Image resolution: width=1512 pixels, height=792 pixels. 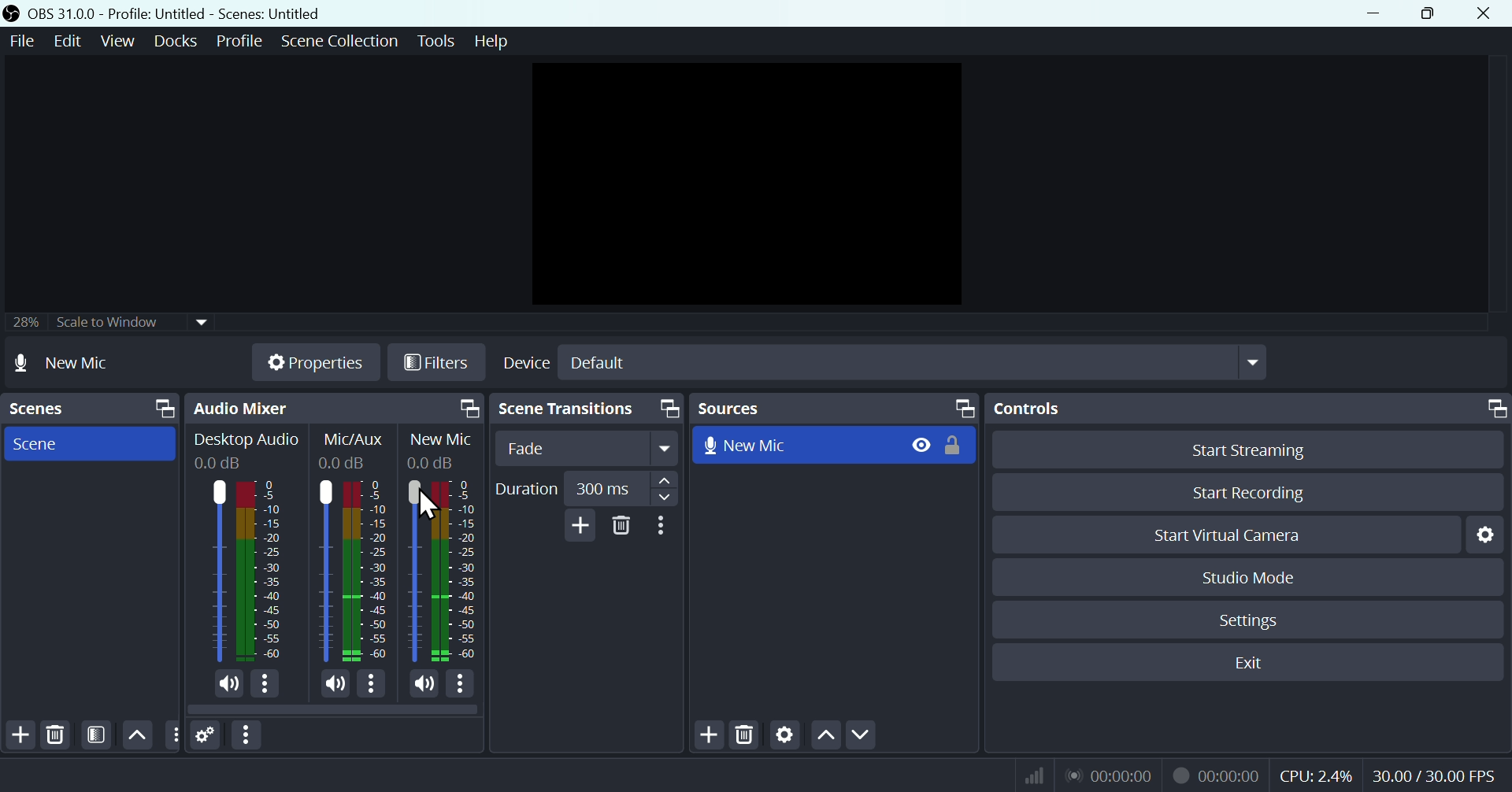 What do you see at coordinates (331, 686) in the screenshot?
I see `(un)mute` at bounding box center [331, 686].